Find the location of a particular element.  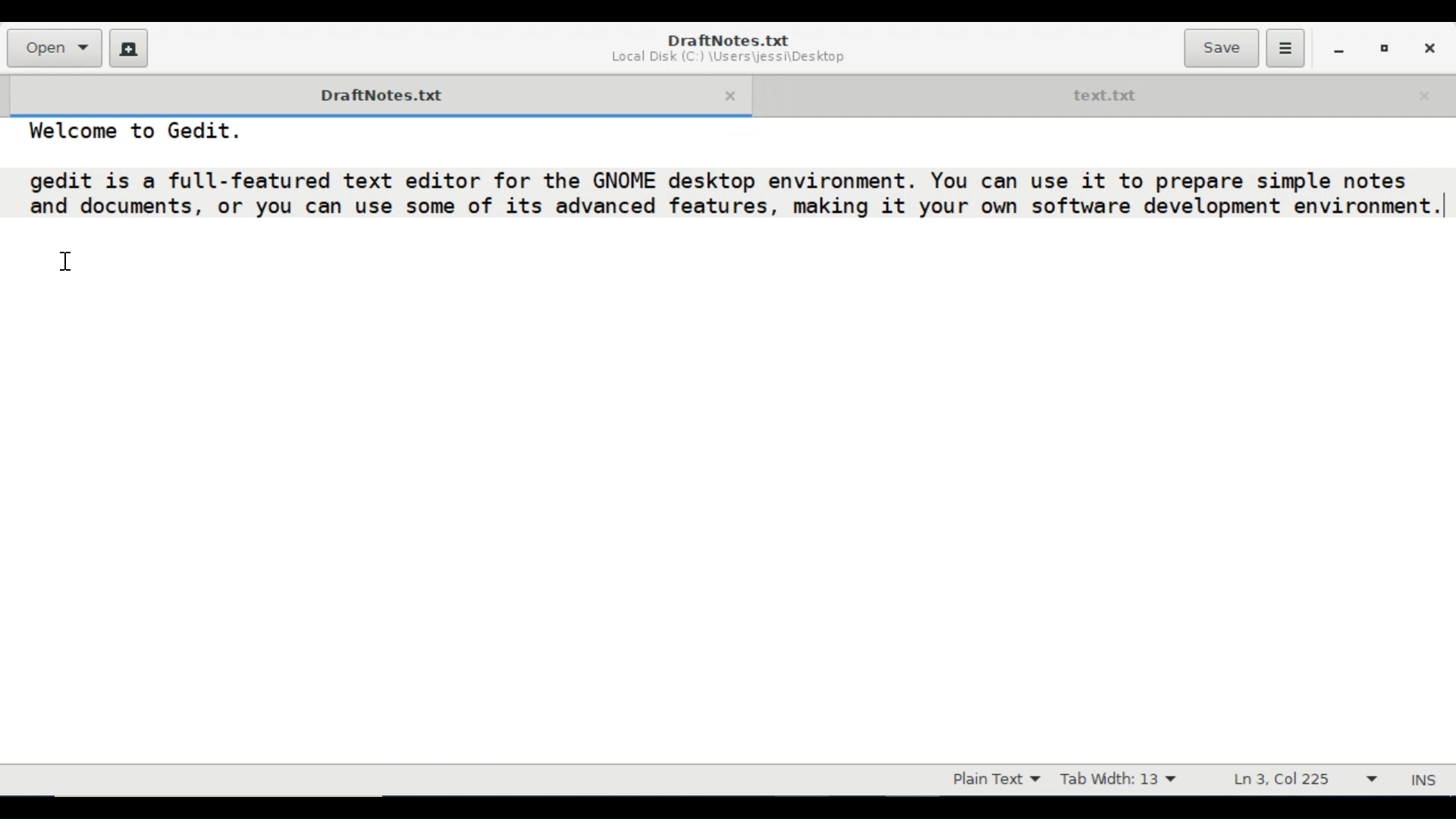

Restore is located at coordinates (1385, 47).